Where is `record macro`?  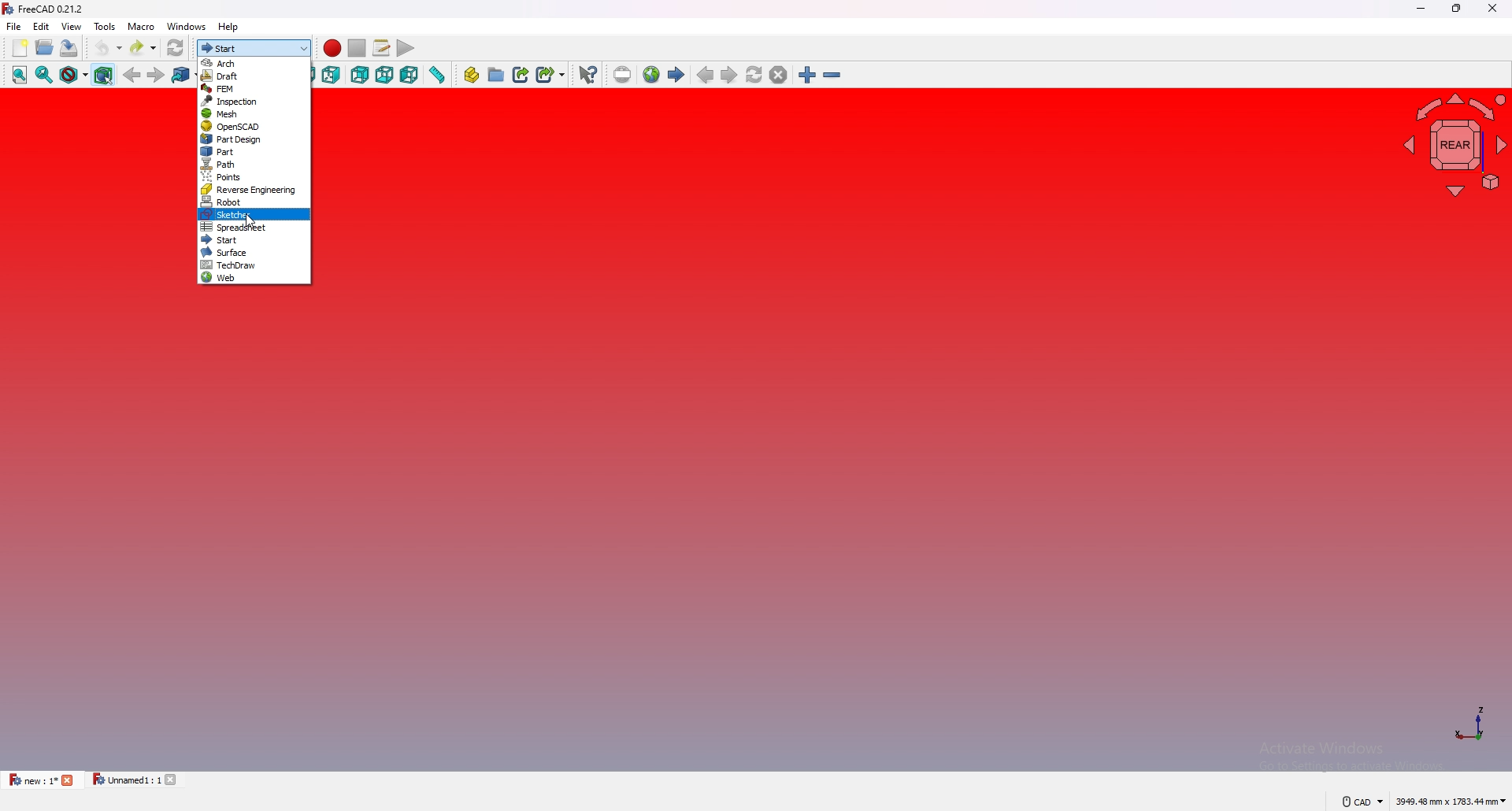 record macro is located at coordinates (332, 49).